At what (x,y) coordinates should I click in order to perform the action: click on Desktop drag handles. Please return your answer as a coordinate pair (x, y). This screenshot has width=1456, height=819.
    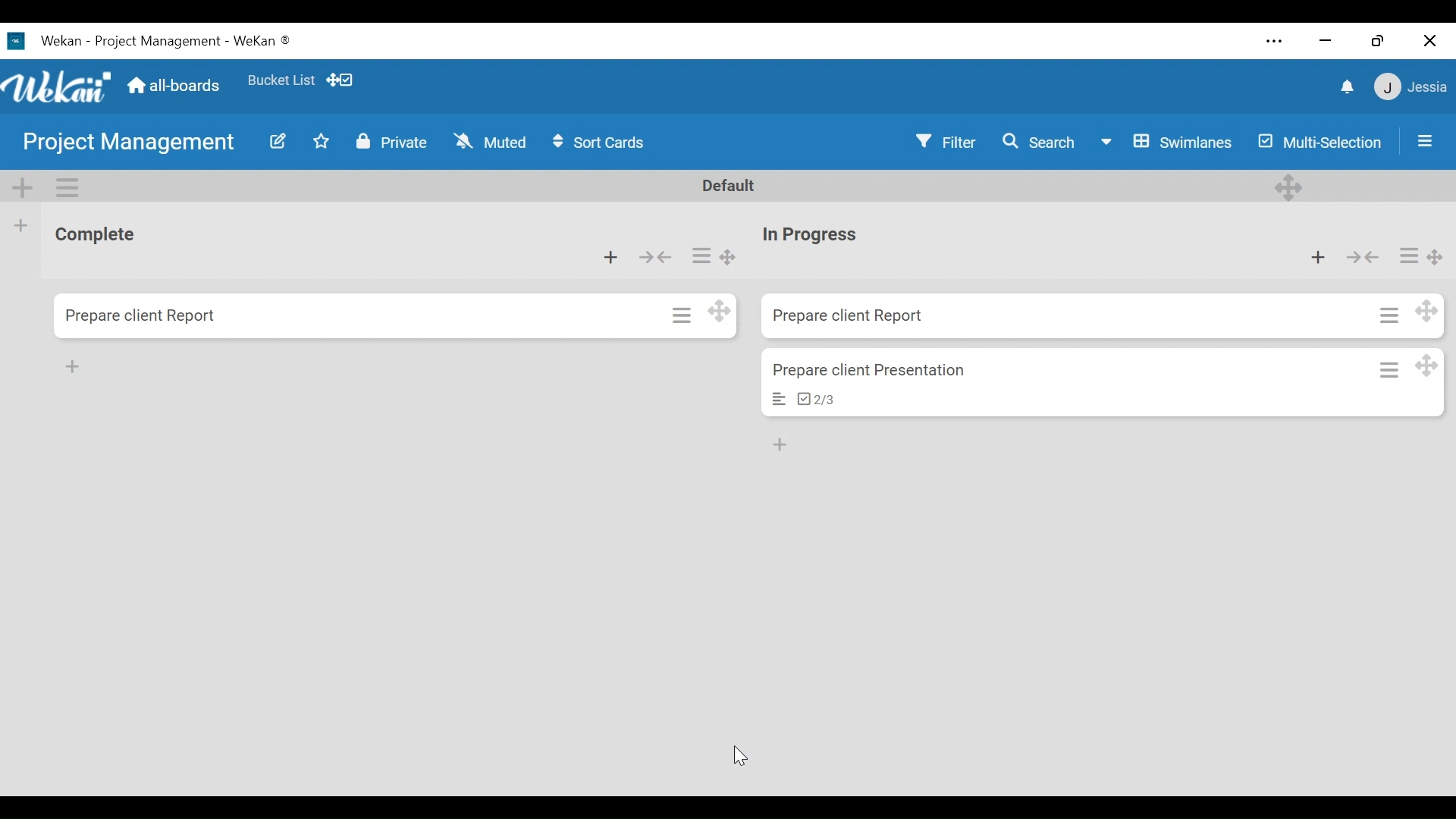
    Looking at the image, I should click on (721, 311).